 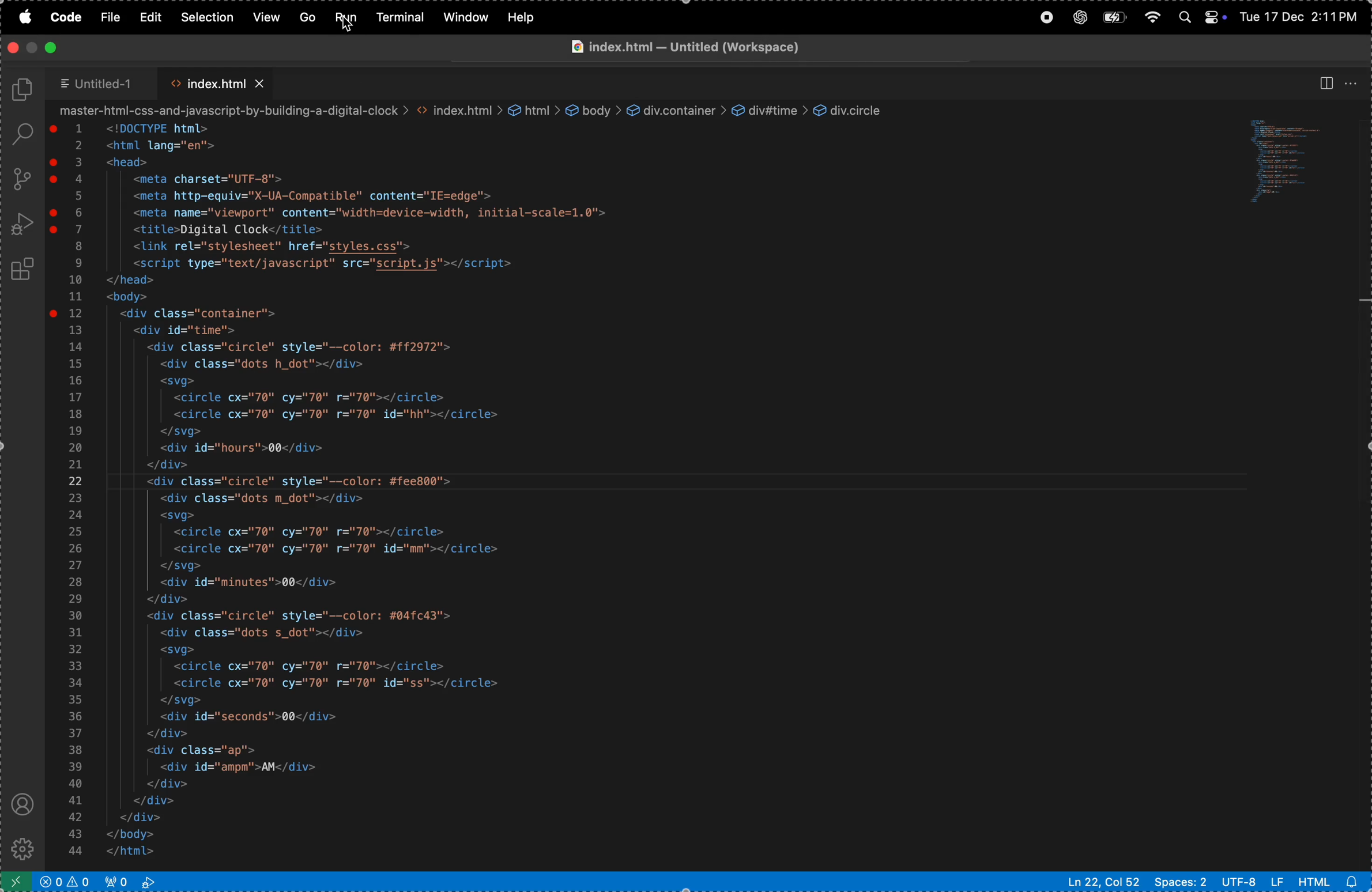 I want to click on battery, so click(x=1111, y=17).